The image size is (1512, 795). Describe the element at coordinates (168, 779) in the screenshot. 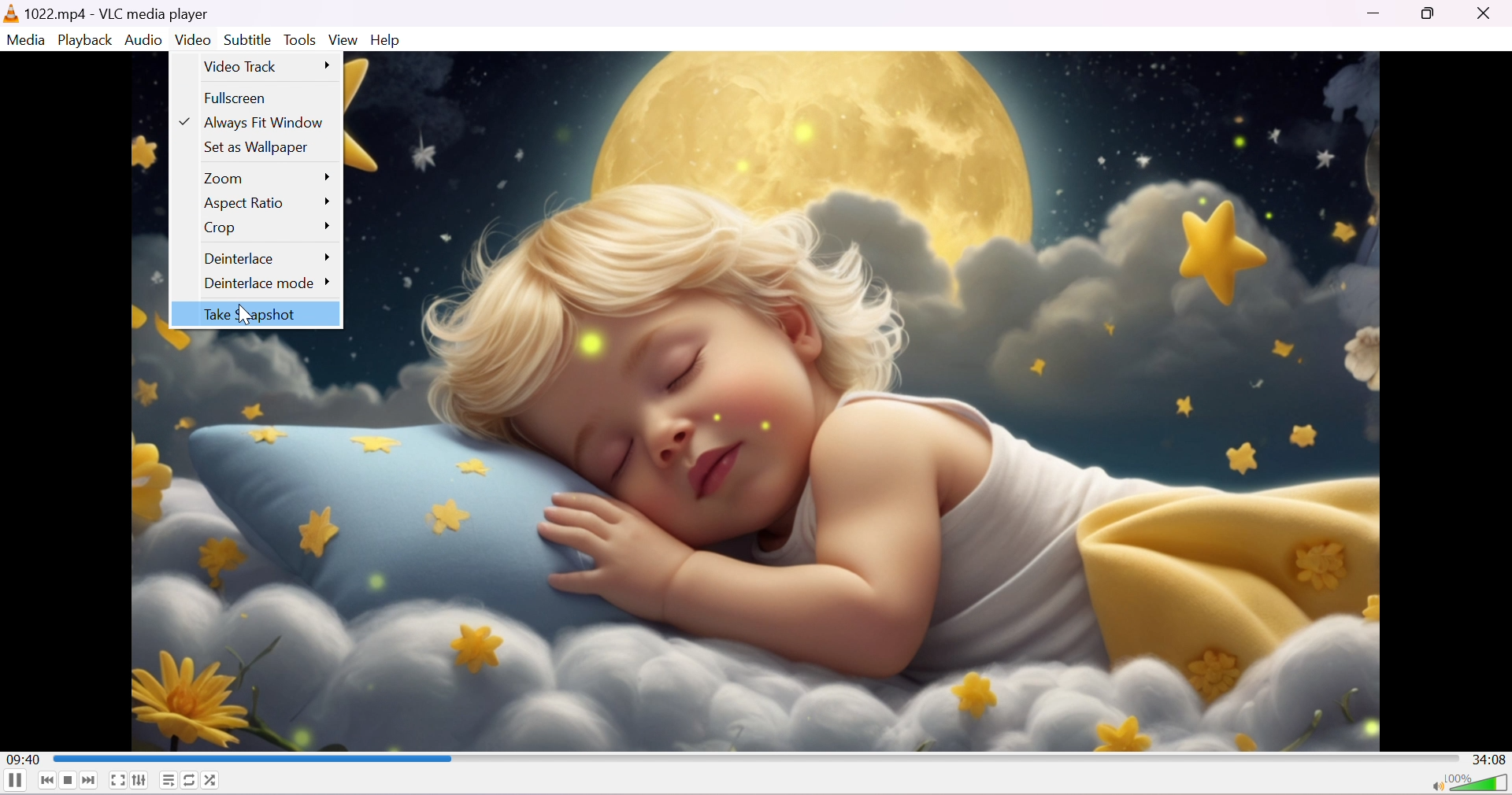

I see `Toggle playlist` at that location.